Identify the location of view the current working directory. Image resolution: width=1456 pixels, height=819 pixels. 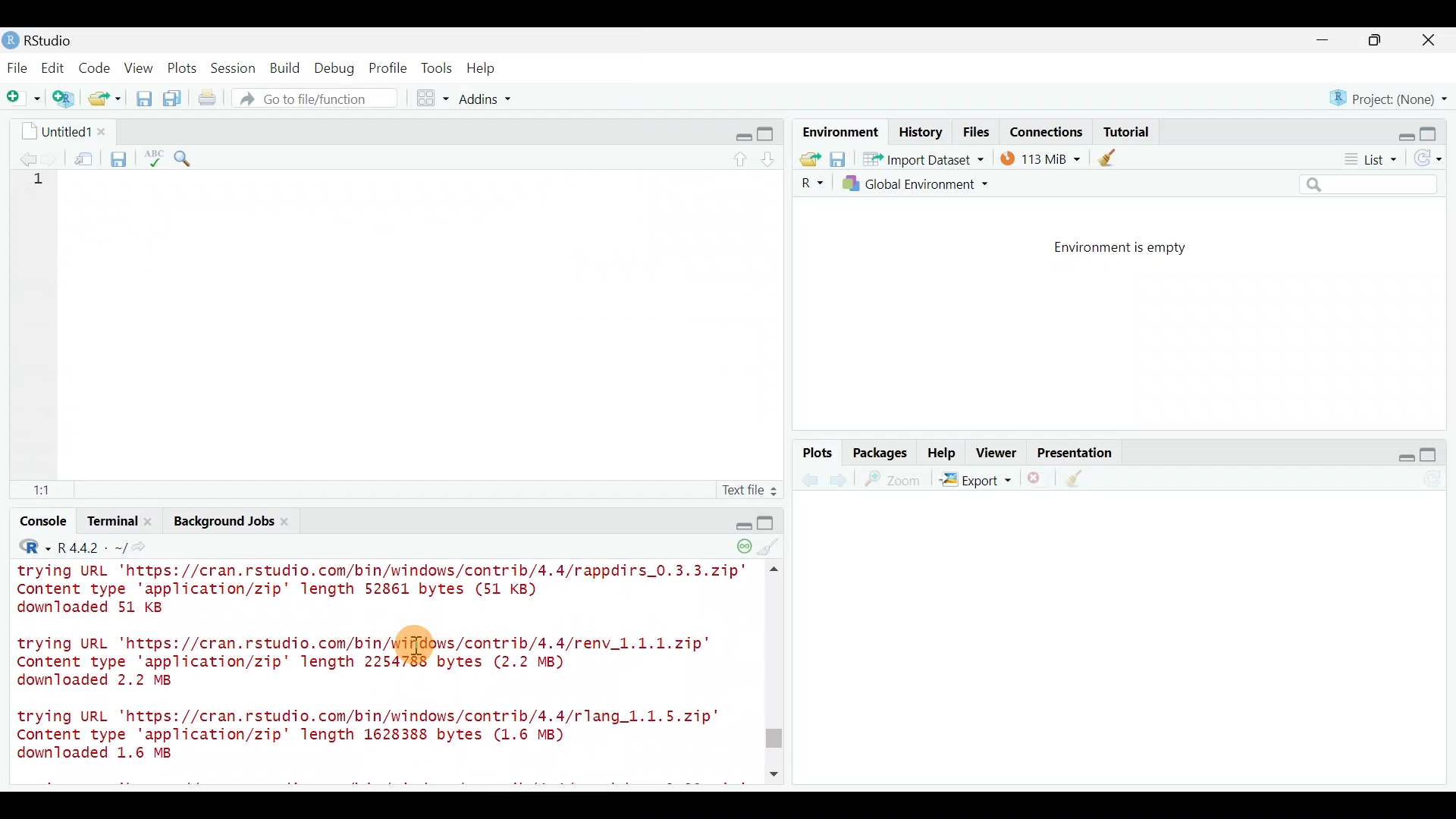
(147, 547).